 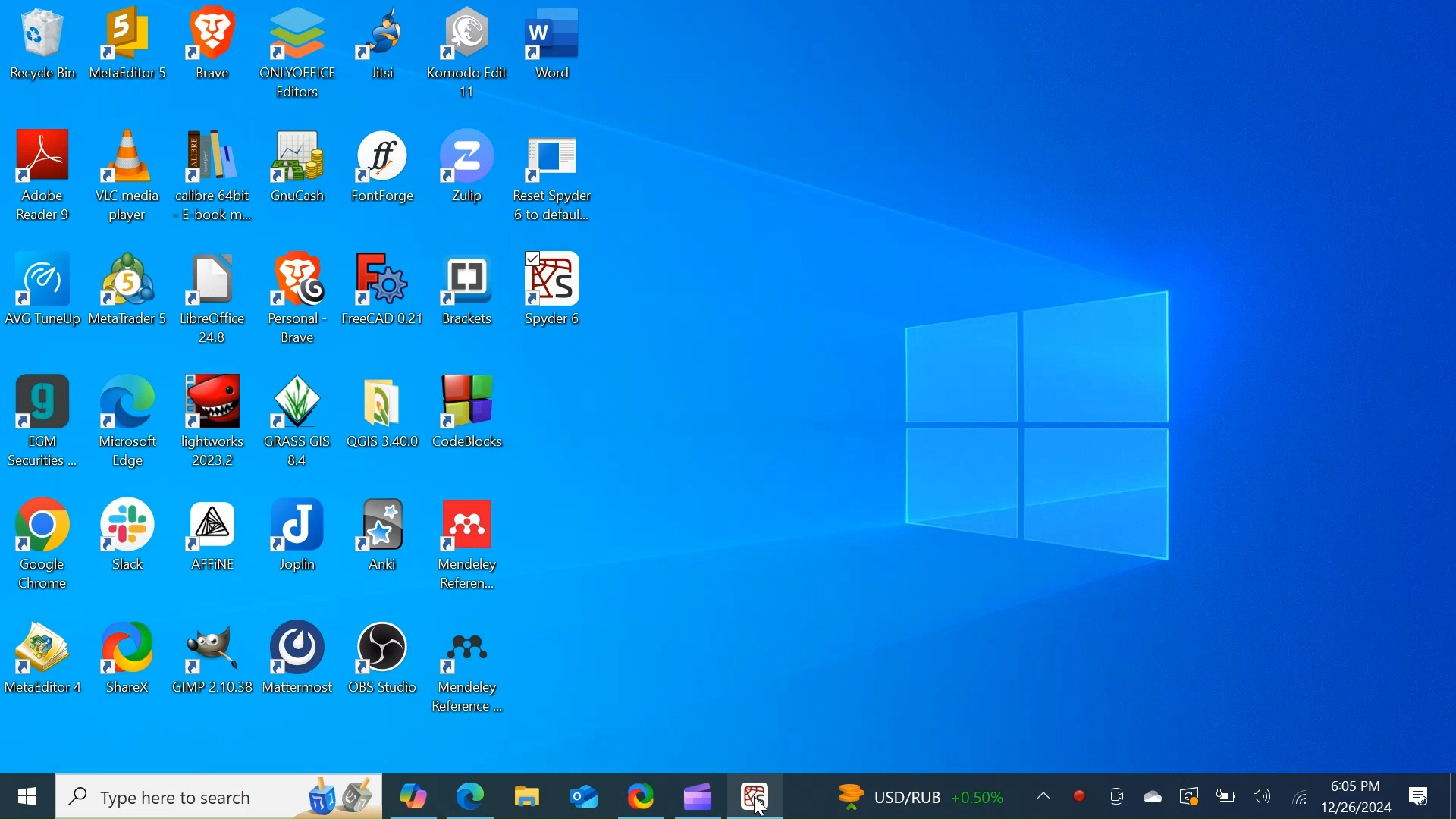 I want to click on File Explorer Desktop Icon, so click(x=526, y=795).